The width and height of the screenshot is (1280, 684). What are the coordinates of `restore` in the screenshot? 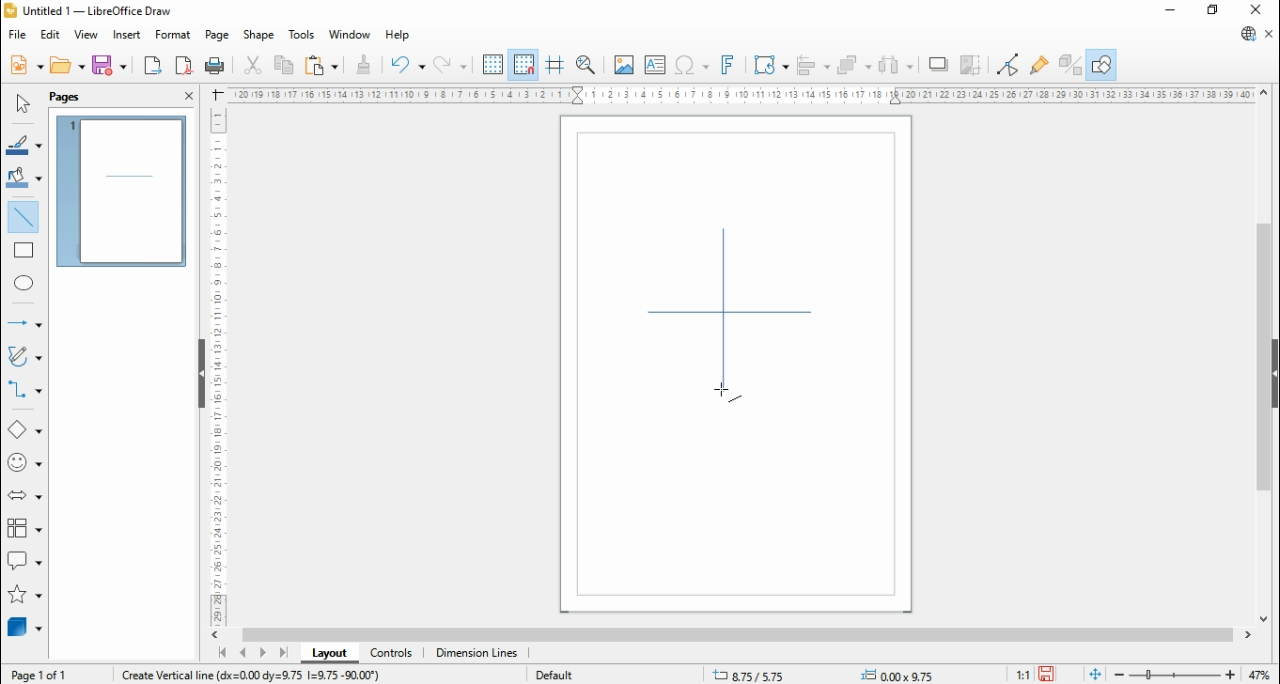 It's located at (1214, 11).